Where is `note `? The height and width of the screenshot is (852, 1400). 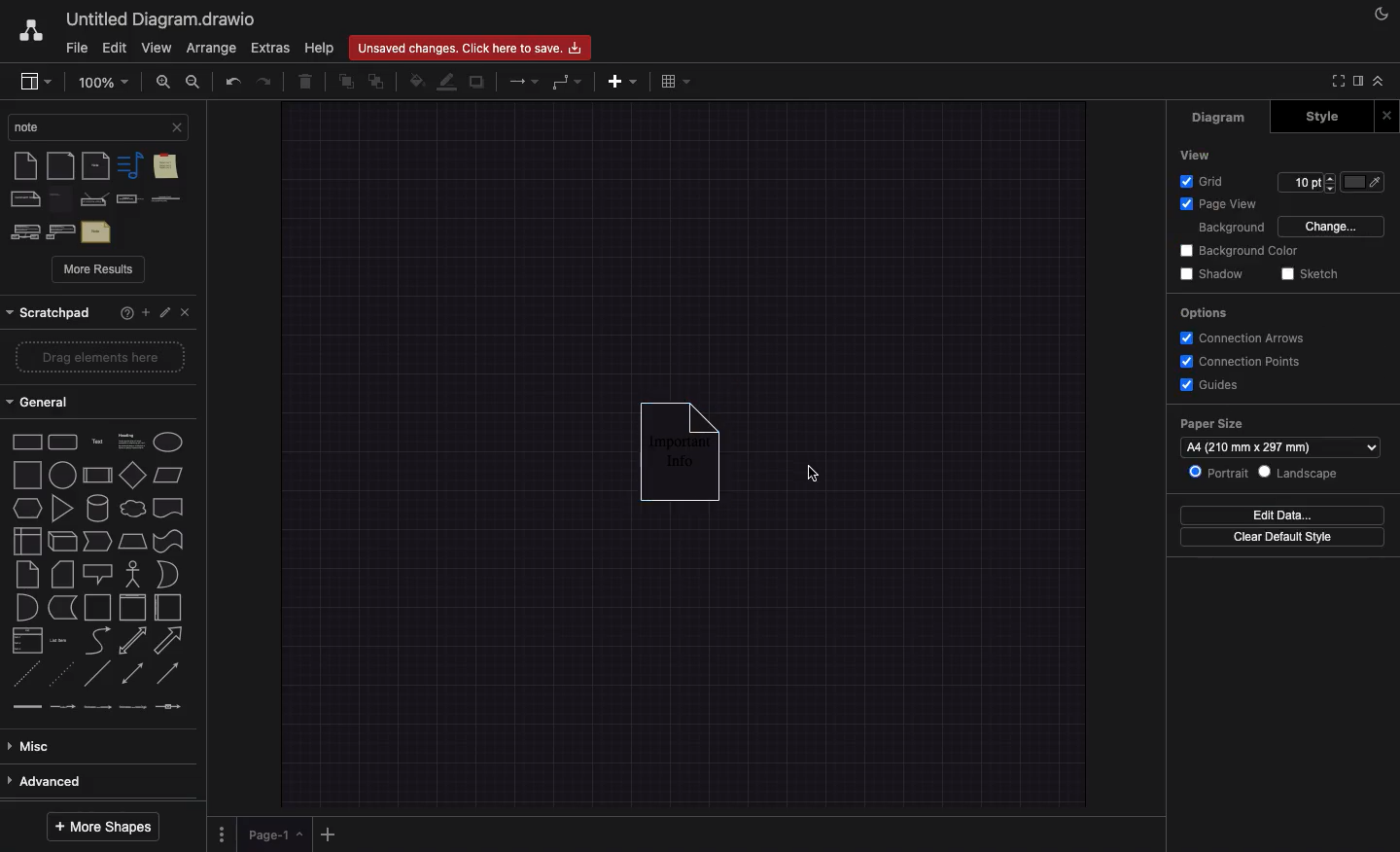 note  is located at coordinates (23, 166).